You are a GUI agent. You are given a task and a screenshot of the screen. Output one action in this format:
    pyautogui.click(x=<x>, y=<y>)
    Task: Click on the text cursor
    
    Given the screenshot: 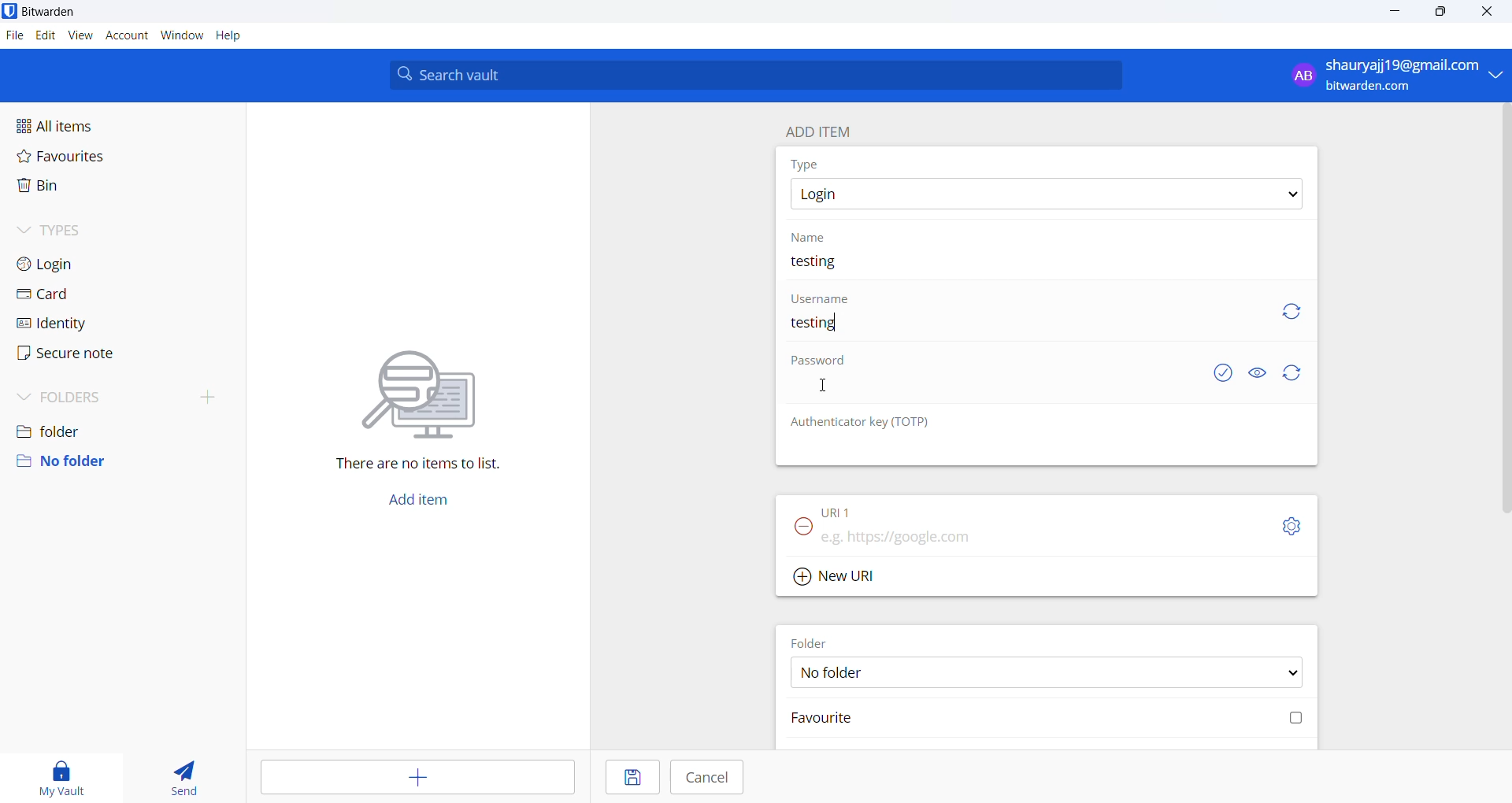 What is the action you would take?
    pyautogui.click(x=836, y=327)
    